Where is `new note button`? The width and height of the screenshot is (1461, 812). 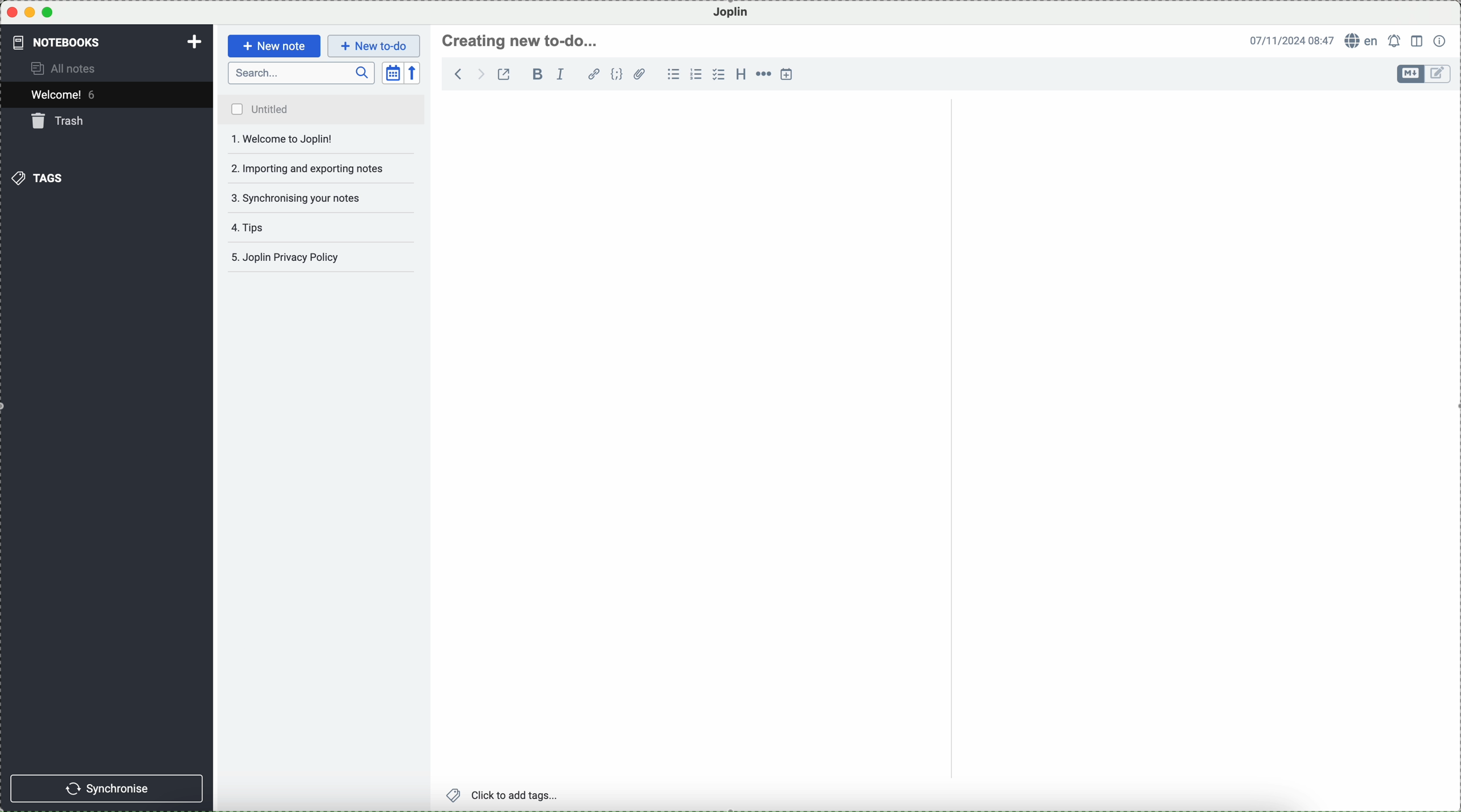
new note button is located at coordinates (275, 46).